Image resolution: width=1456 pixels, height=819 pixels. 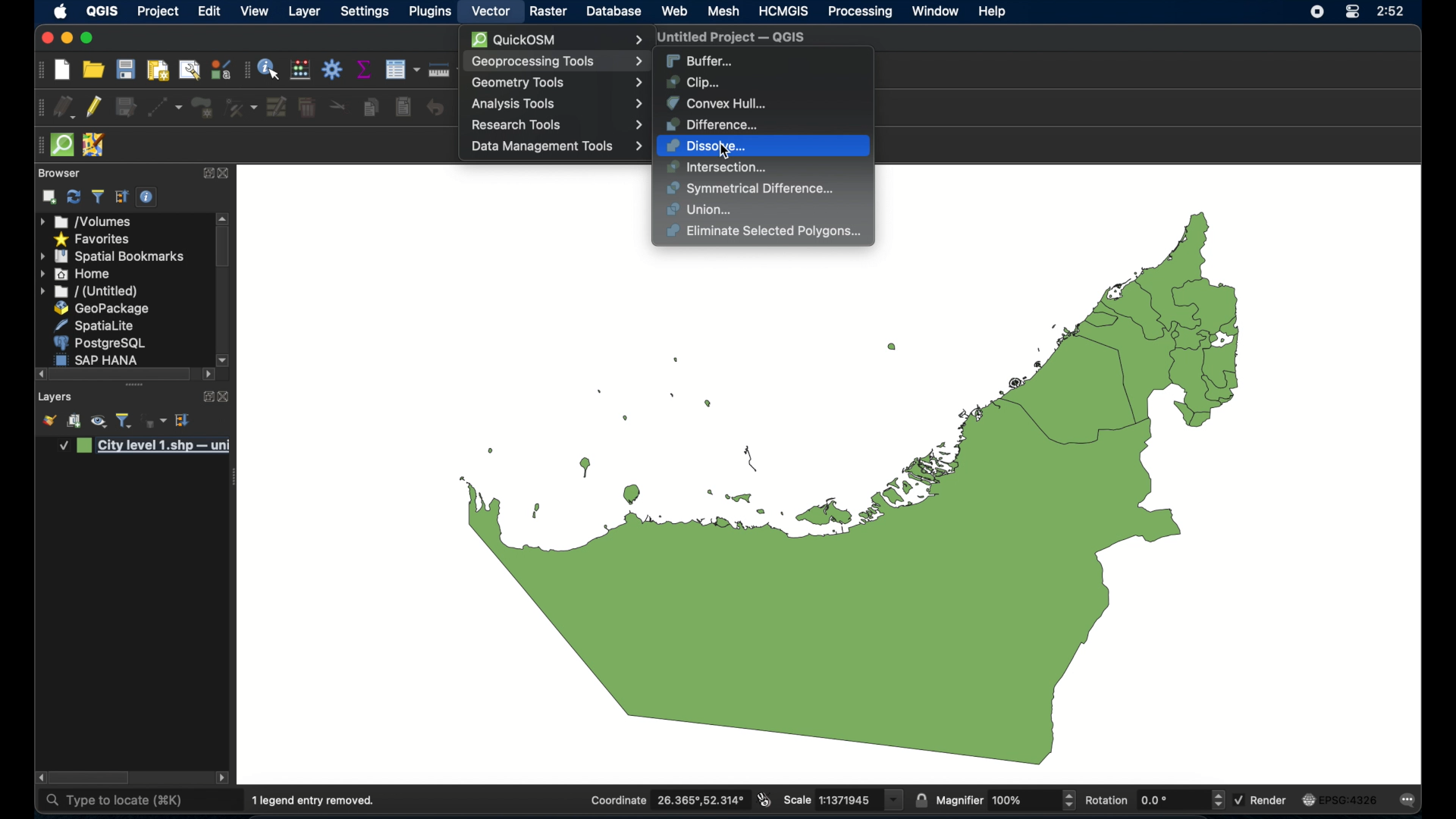 What do you see at coordinates (751, 189) in the screenshot?
I see `symmetrical difference` at bounding box center [751, 189].